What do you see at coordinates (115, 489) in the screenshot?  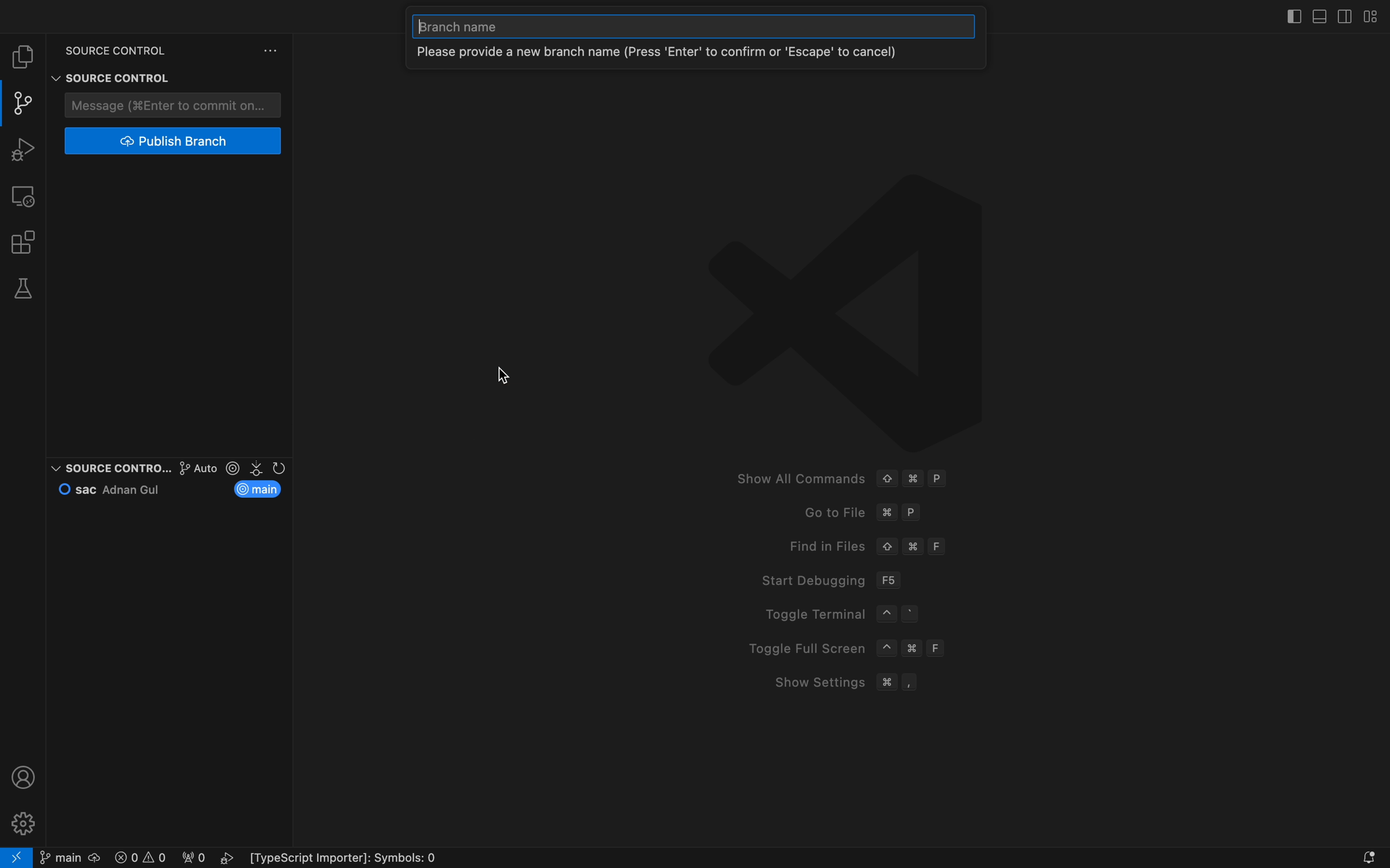 I see `commit and author name` at bounding box center [115, 489].